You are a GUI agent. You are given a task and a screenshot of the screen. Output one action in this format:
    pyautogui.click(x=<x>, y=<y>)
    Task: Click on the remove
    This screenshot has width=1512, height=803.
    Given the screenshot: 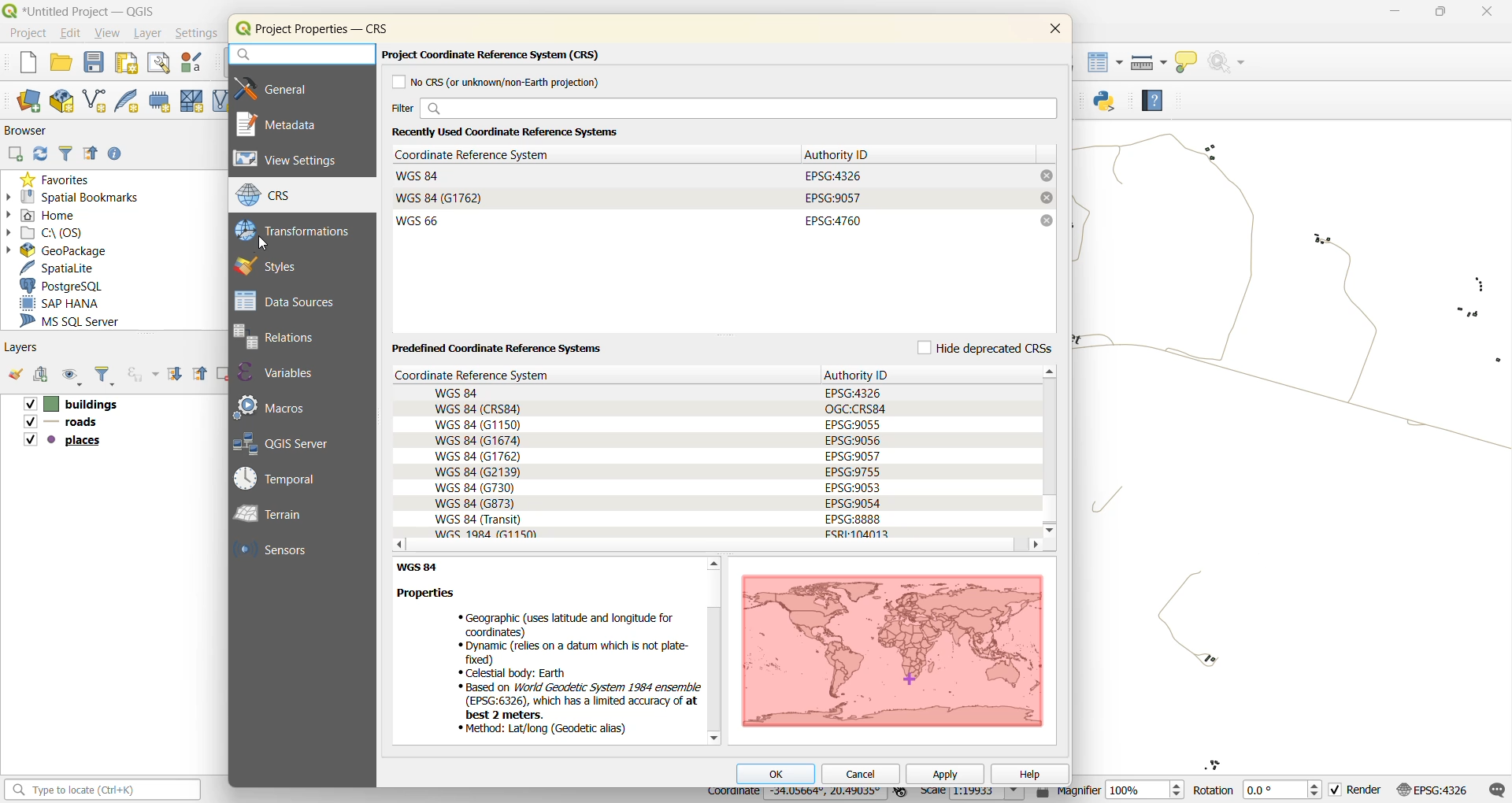 What is the action you would take?
    pyautogui.click(x=1047, y=220)
    